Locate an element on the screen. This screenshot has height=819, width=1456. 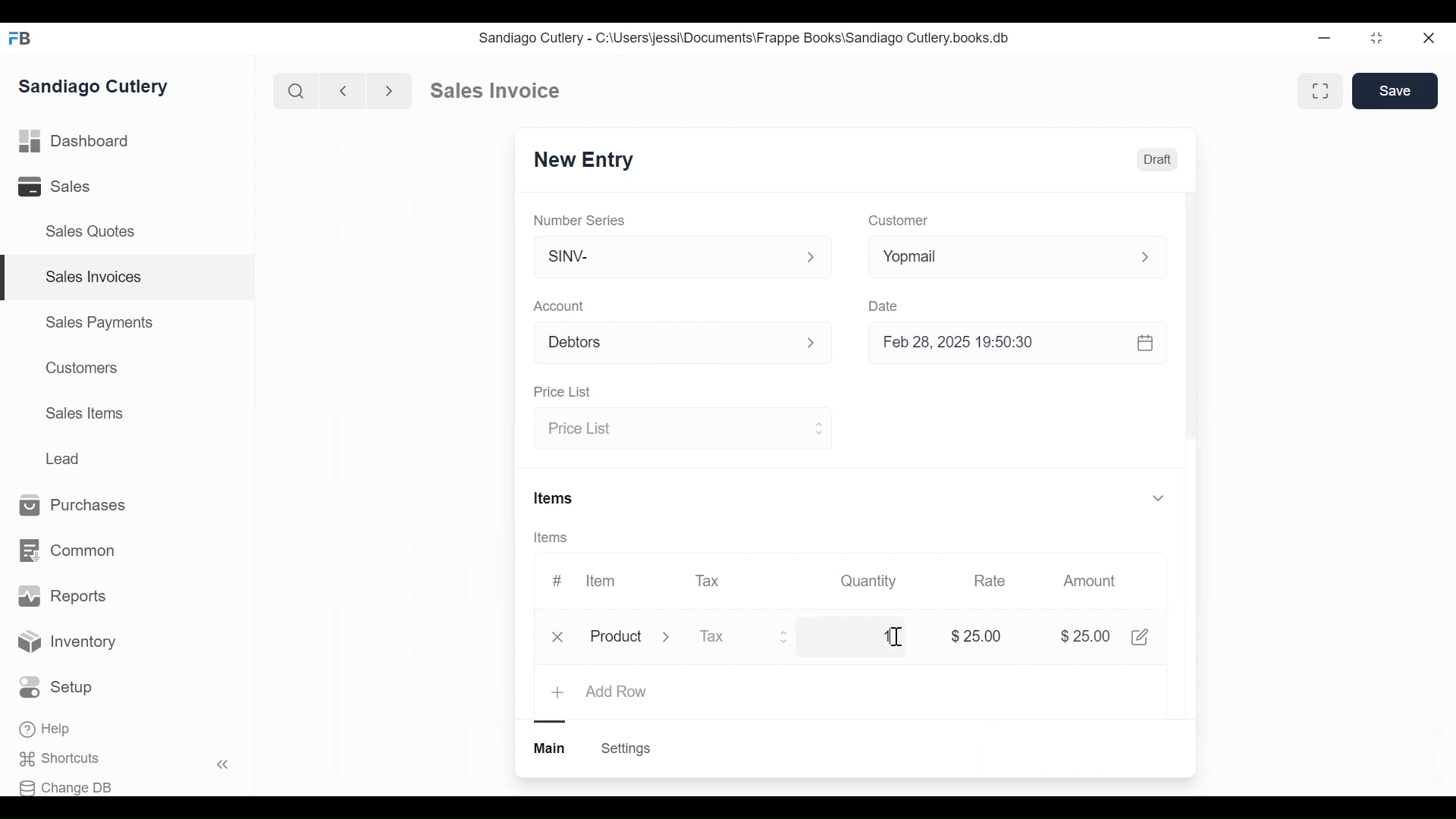
minimize is located at coordinates (1324, 37).